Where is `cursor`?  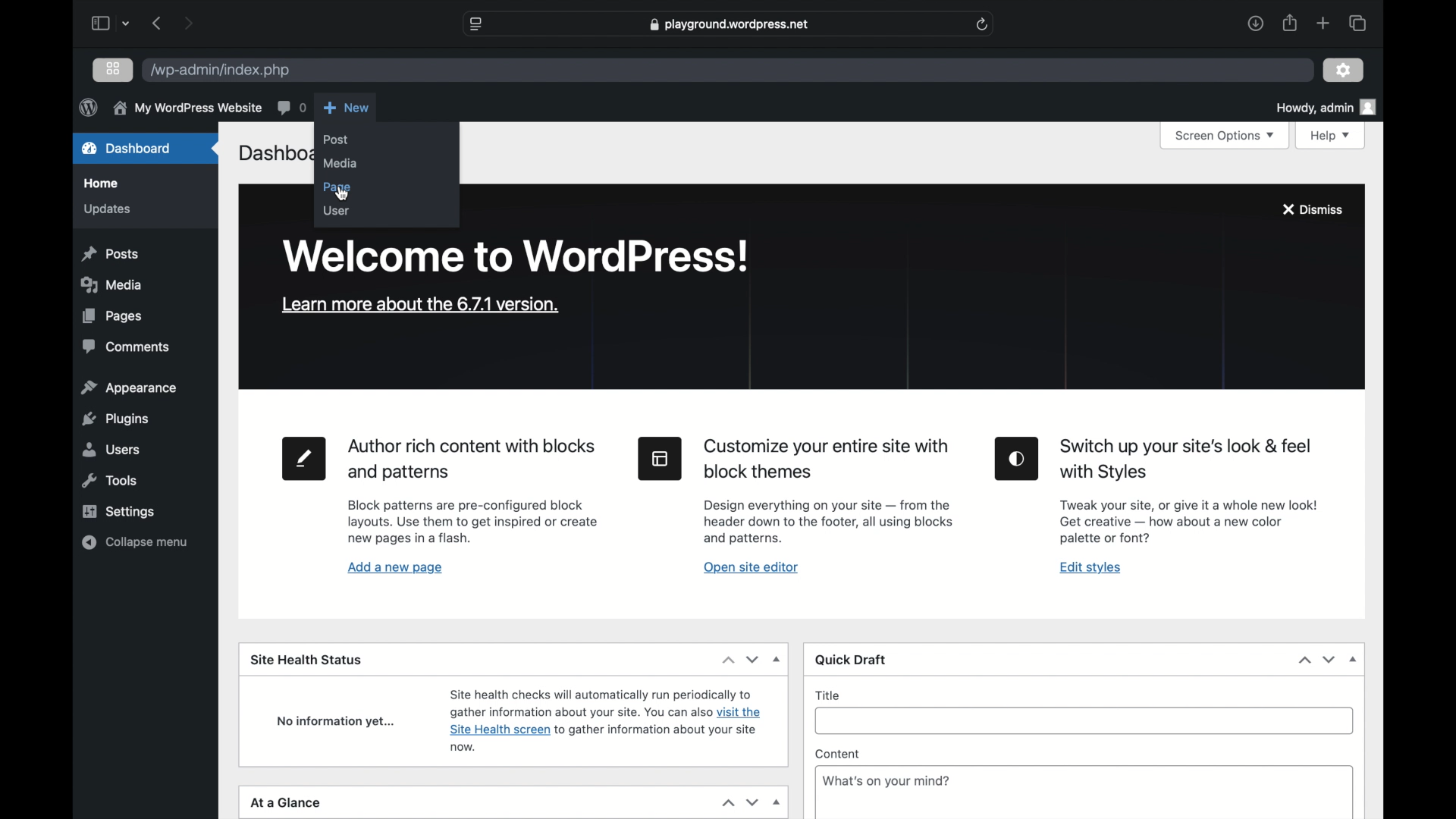 cursor is located at coordinates (341, 194).